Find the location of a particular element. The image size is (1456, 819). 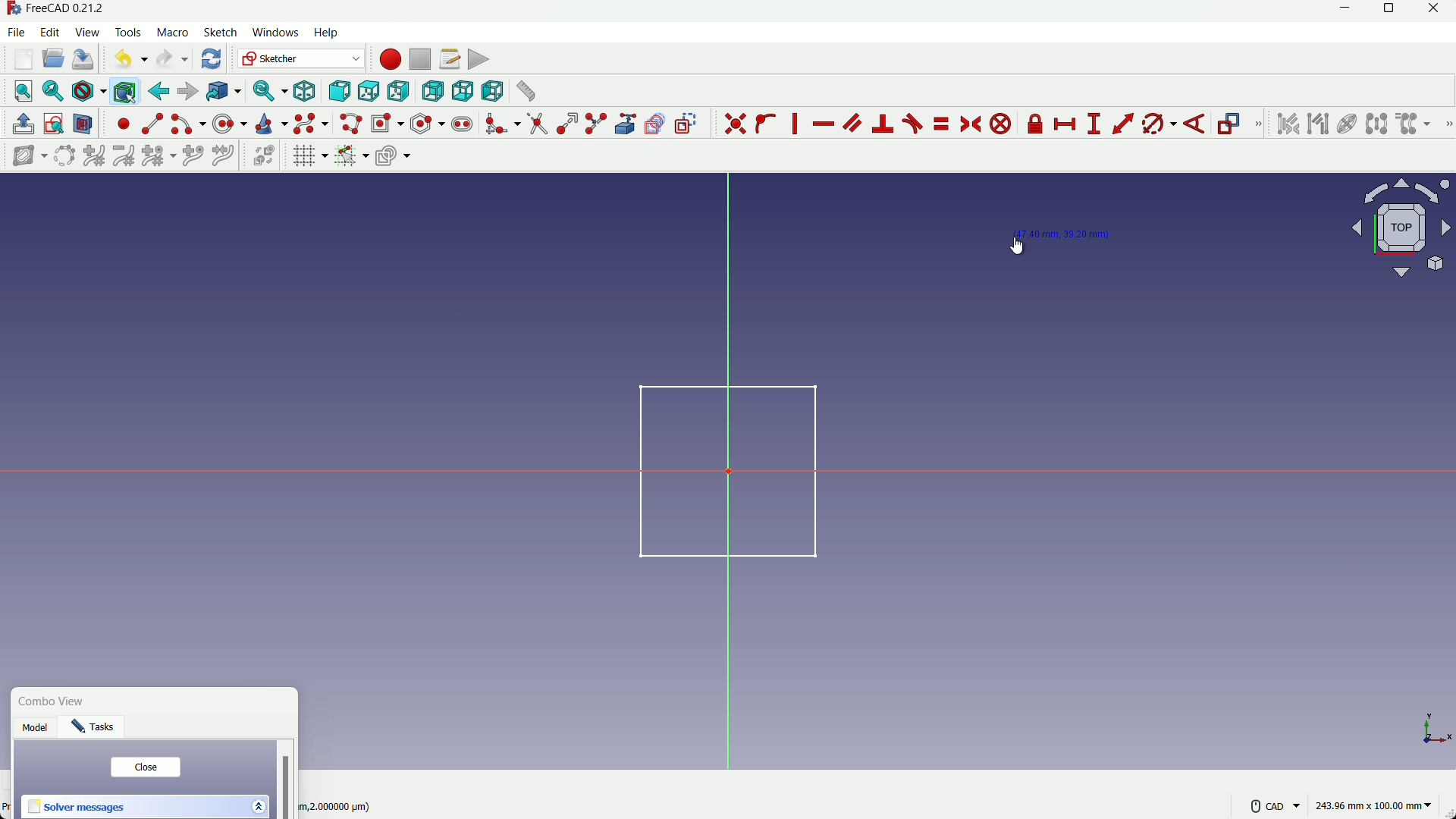

sketch is located at coordinates (717, 469).